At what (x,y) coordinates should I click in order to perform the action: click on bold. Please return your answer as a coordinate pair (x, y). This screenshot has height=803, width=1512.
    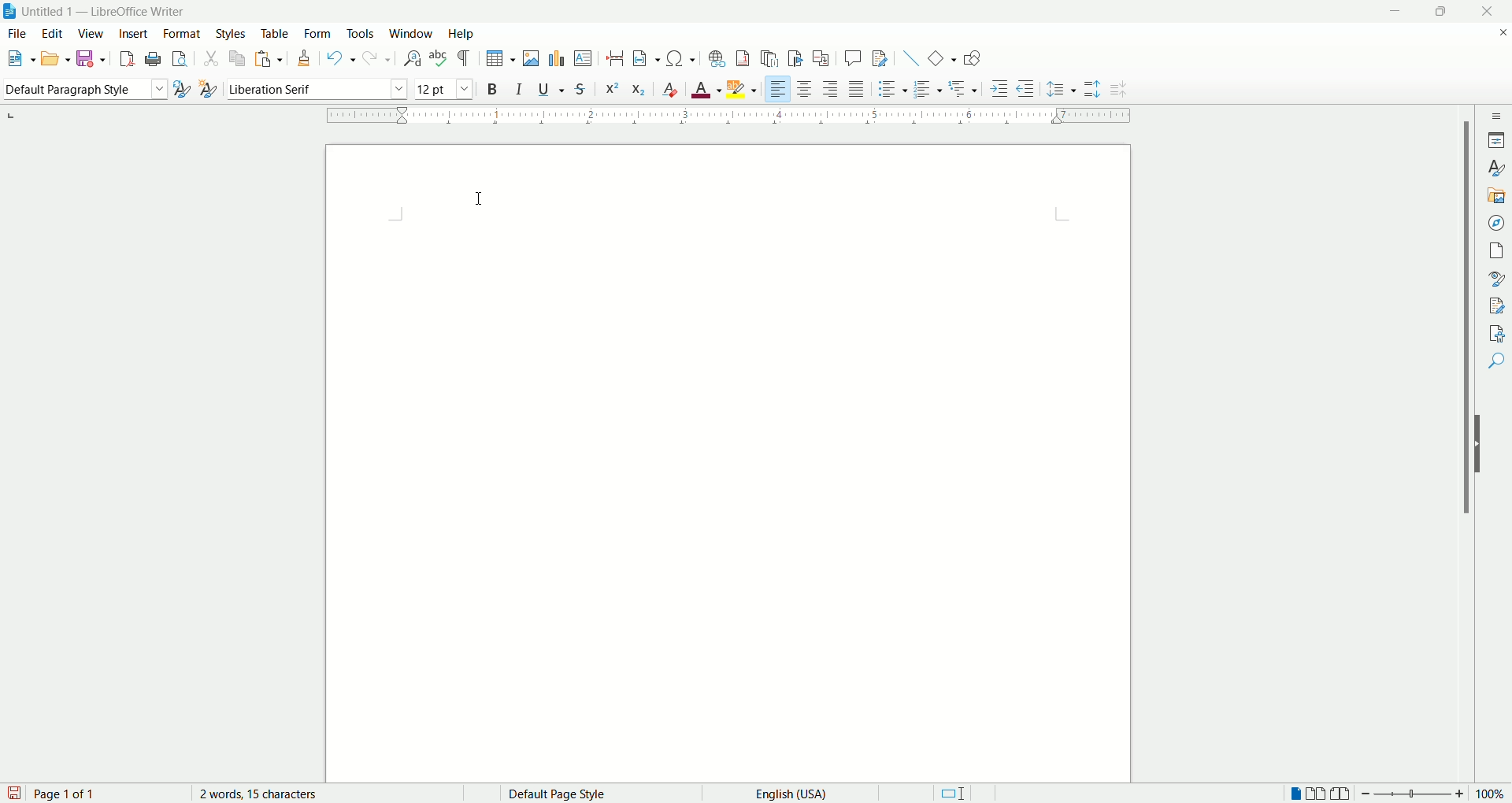
    Looking at the image, I should click on (490, 92).